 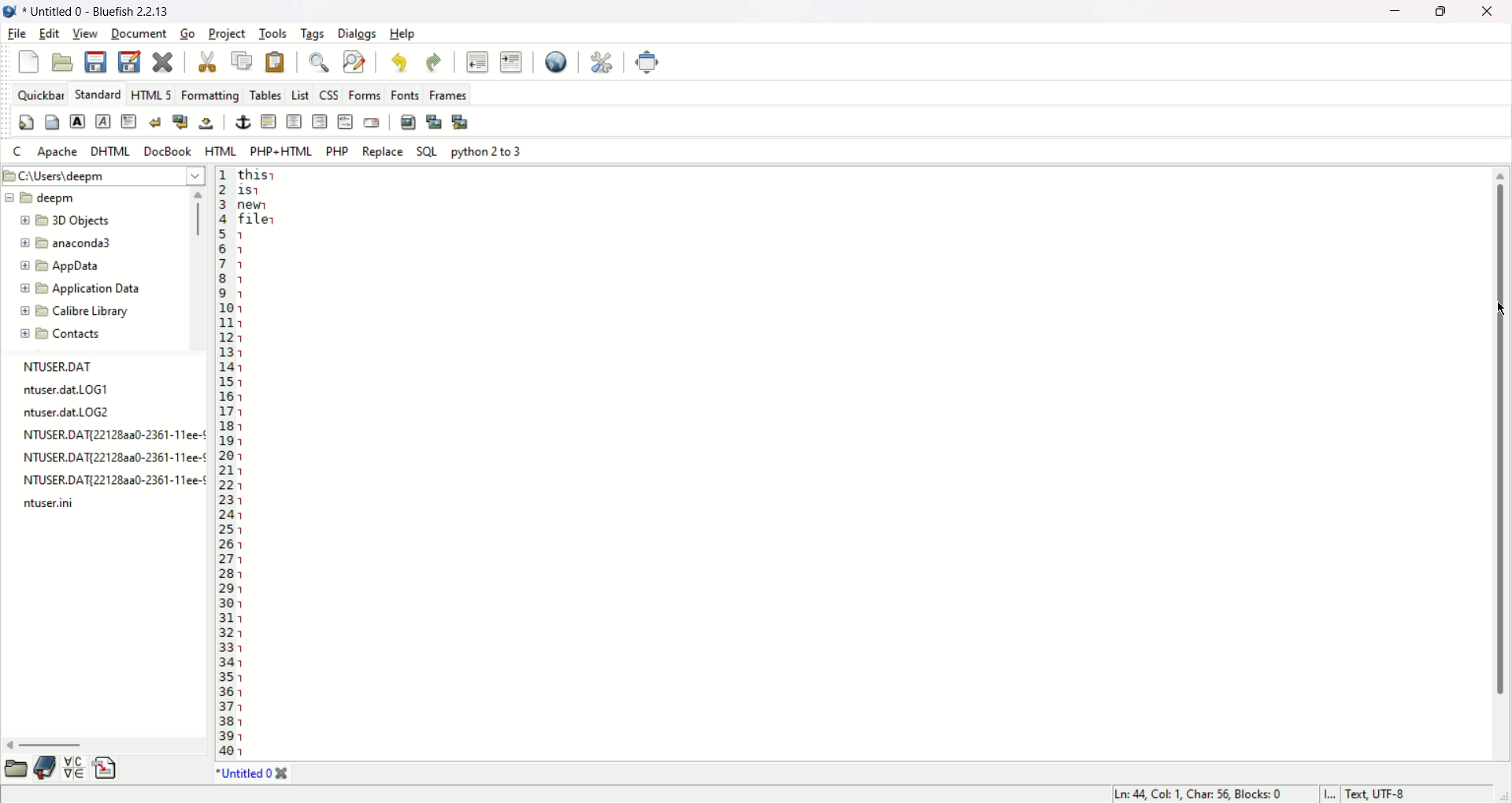 I want to click on NTUSER.DAT

ntuser.datLOGT

ntuser.dat.LOG2
NTUSER.DAT{221282a0-2361-11ee-¢
NTUSER.DAT{22128a20-2361-11ee-¢
NTUSER.DAT{221283a0-2361-11ee-¢
ntuser.ini, so click(x=111, y=439).